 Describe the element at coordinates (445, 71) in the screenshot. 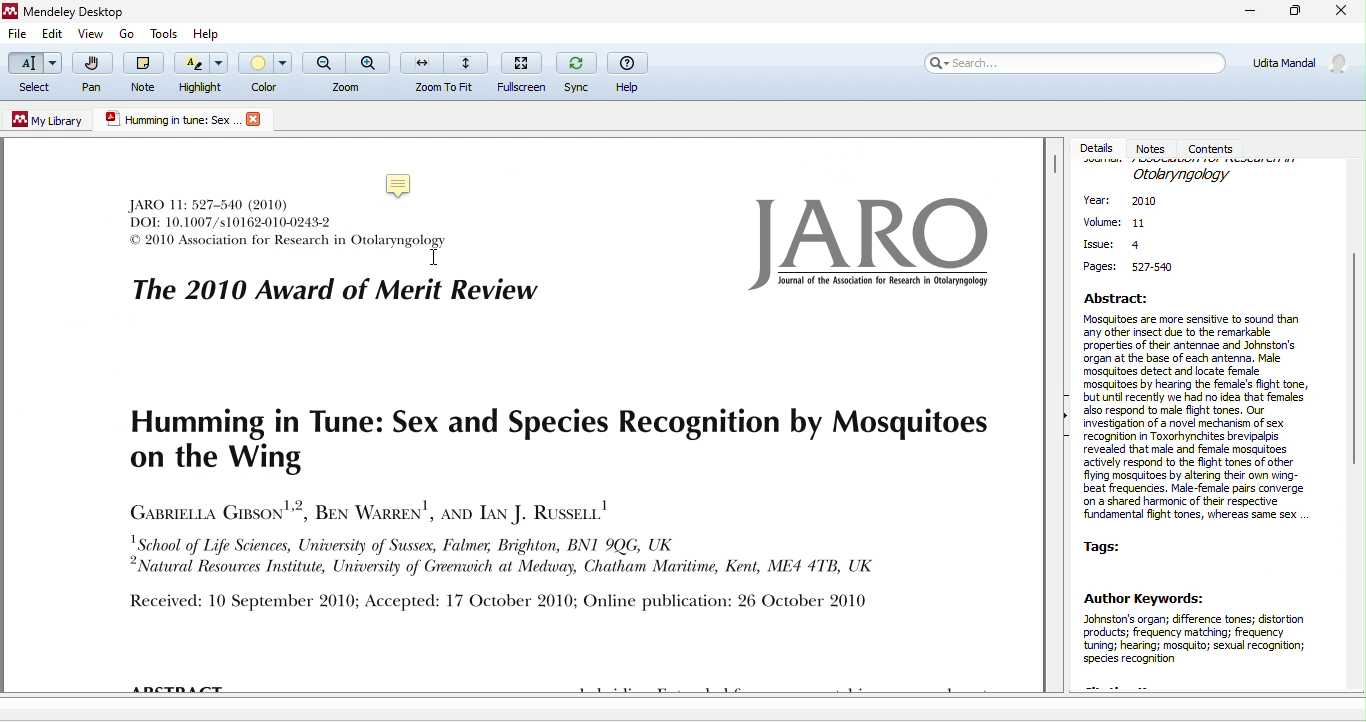

I see `zoom to fit` at that location.